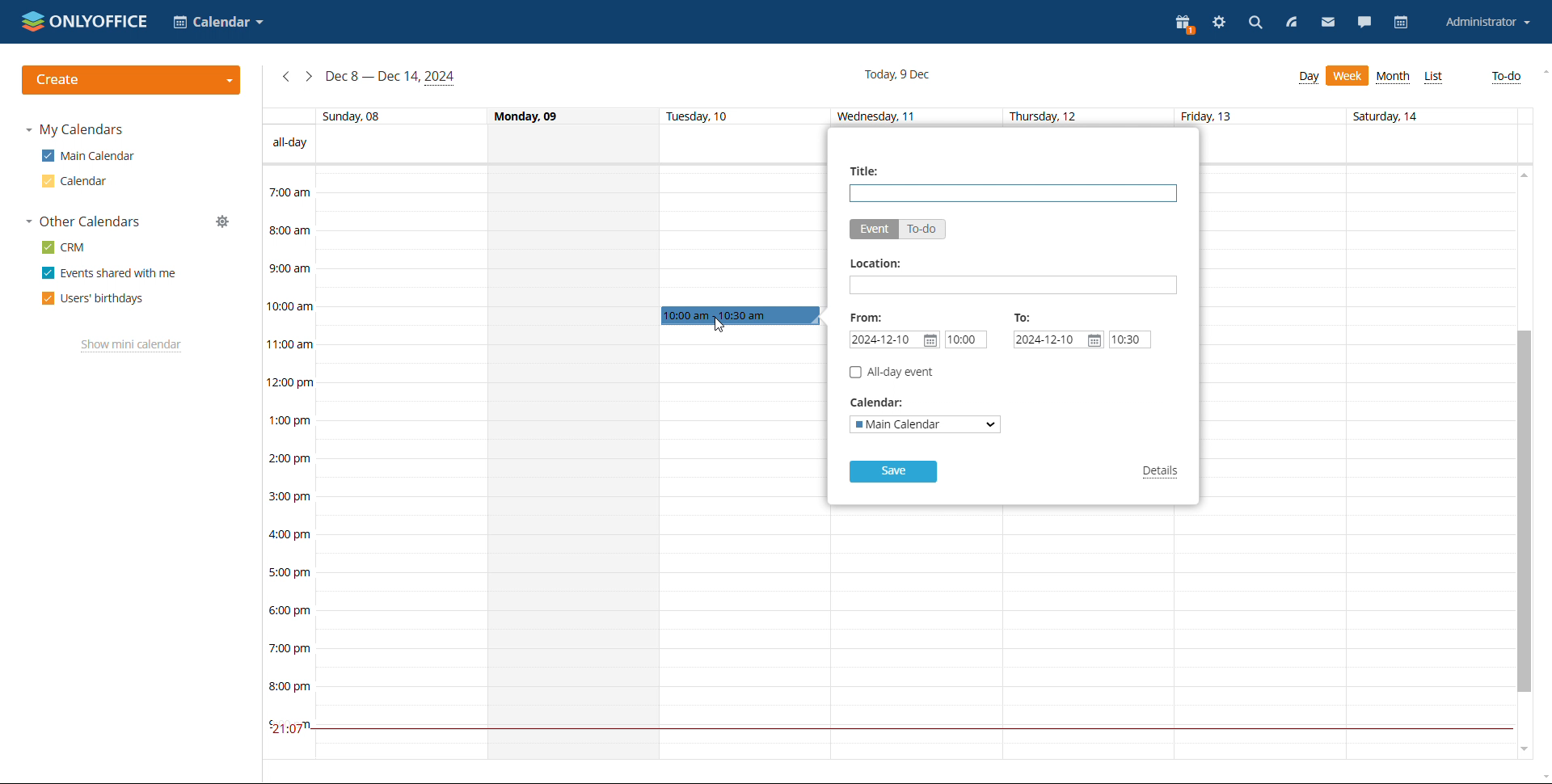 This screenshot has width=1552, height=784. What do you see at coordinates (131, 346) in the screenshot?
I see `show mini calendar` at bounding box center [131, 346].